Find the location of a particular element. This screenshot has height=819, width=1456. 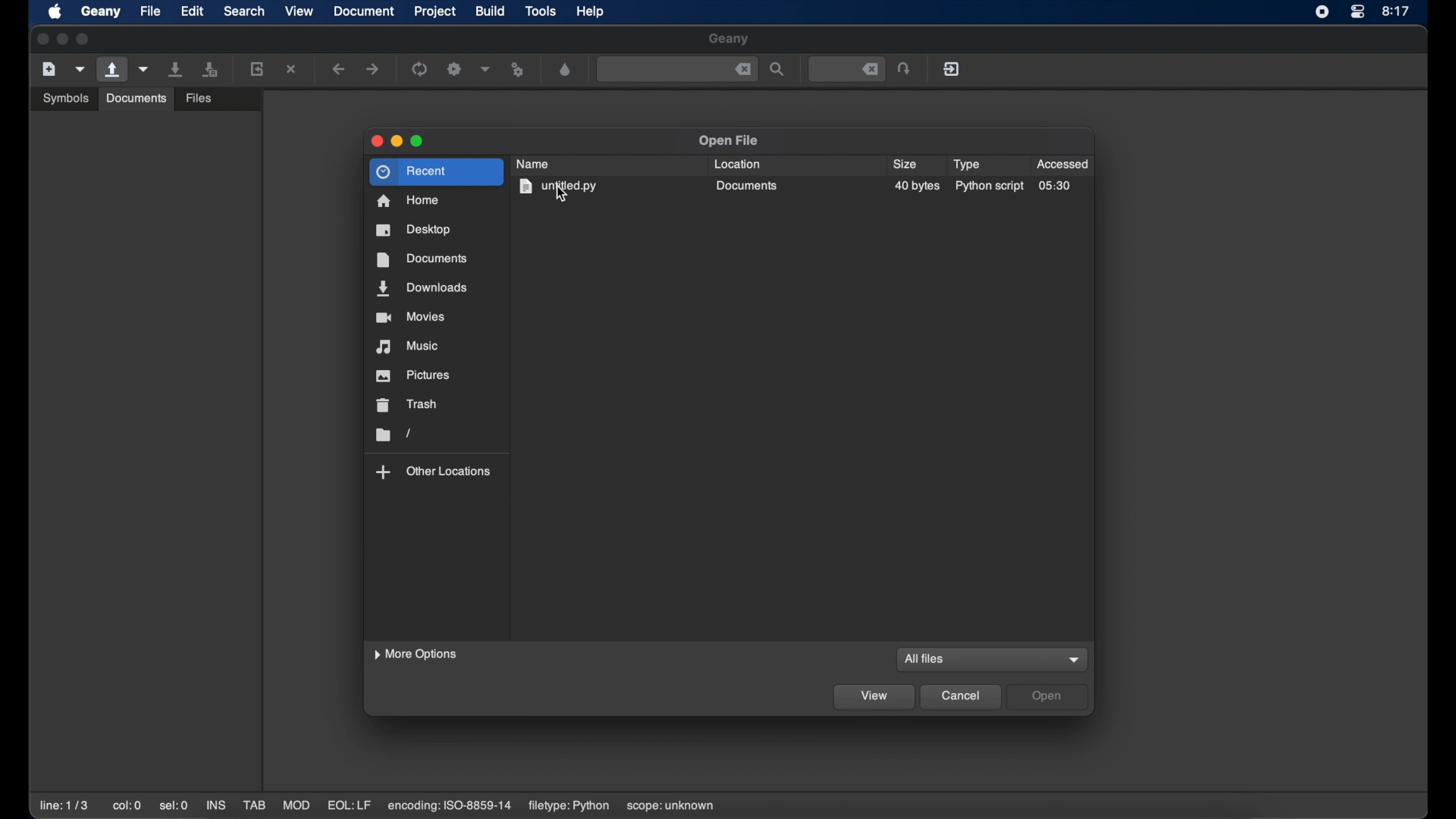

documents is located at coordinates (748, 186).